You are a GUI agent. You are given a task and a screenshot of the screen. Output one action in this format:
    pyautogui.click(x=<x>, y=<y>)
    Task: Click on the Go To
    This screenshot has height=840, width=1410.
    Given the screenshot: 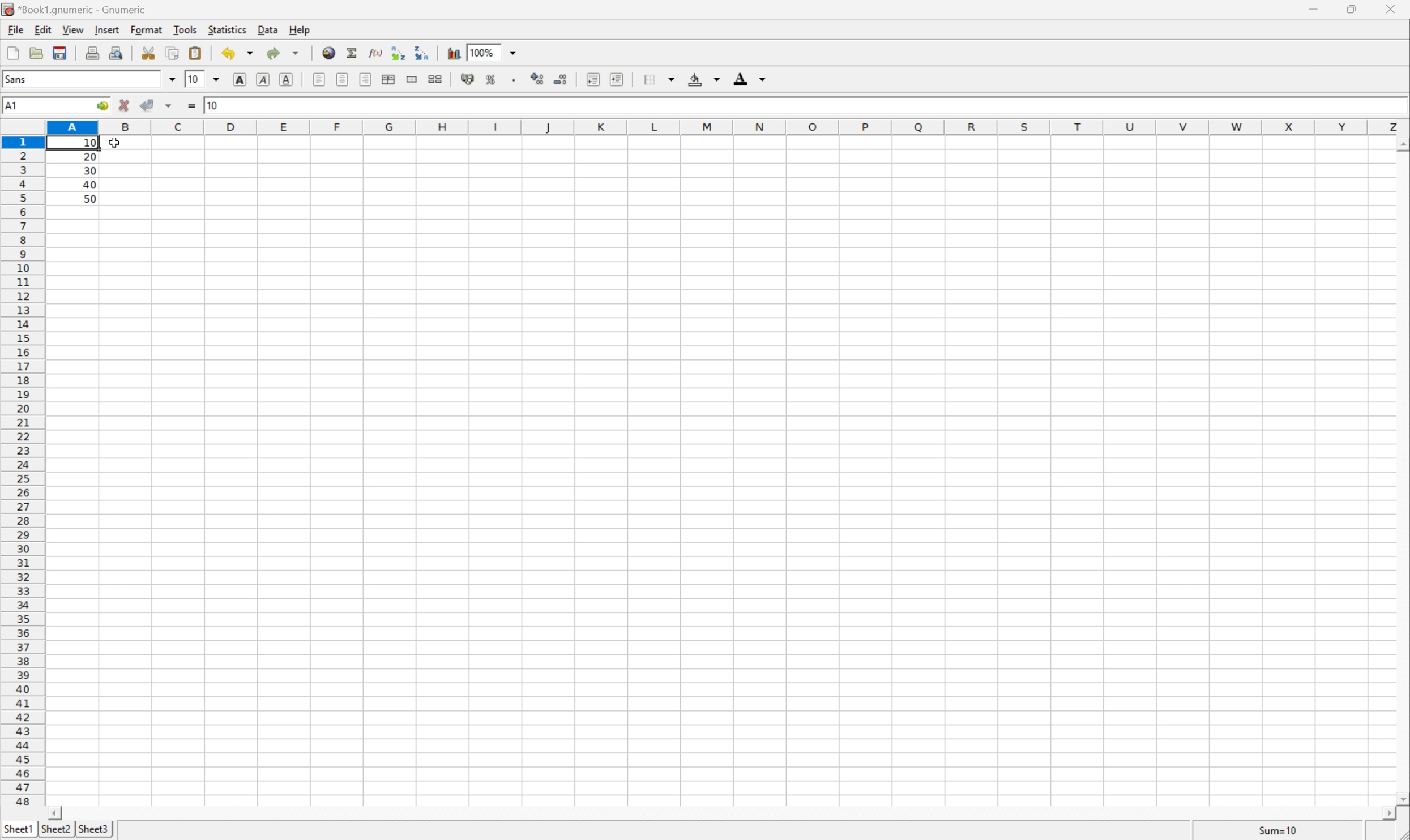 What is the action you would take?
    pyautogui.click(x=101, y=106)
    